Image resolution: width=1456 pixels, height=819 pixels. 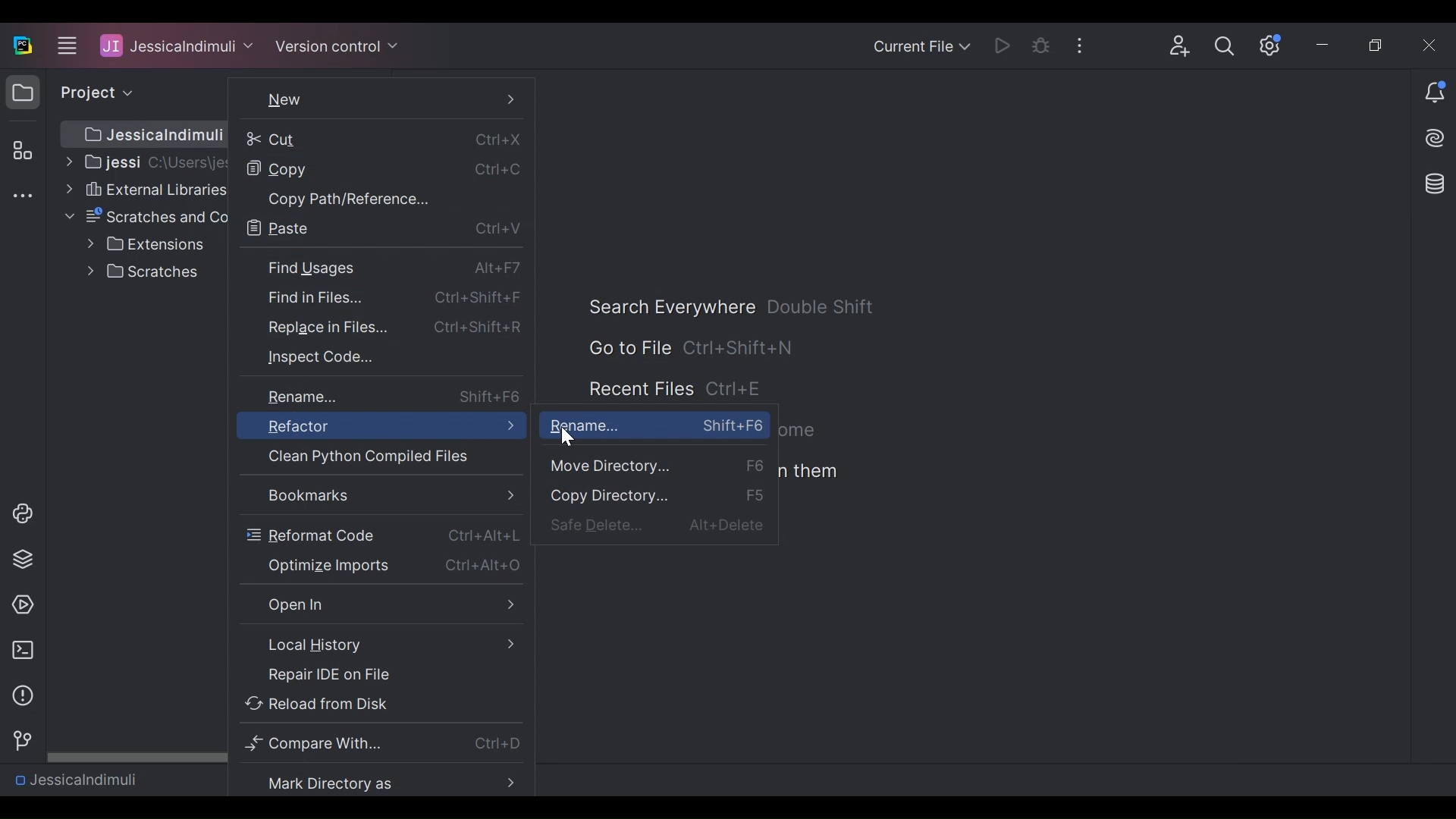 I want to click on AI Assistant, so click(x=1436, y=138).